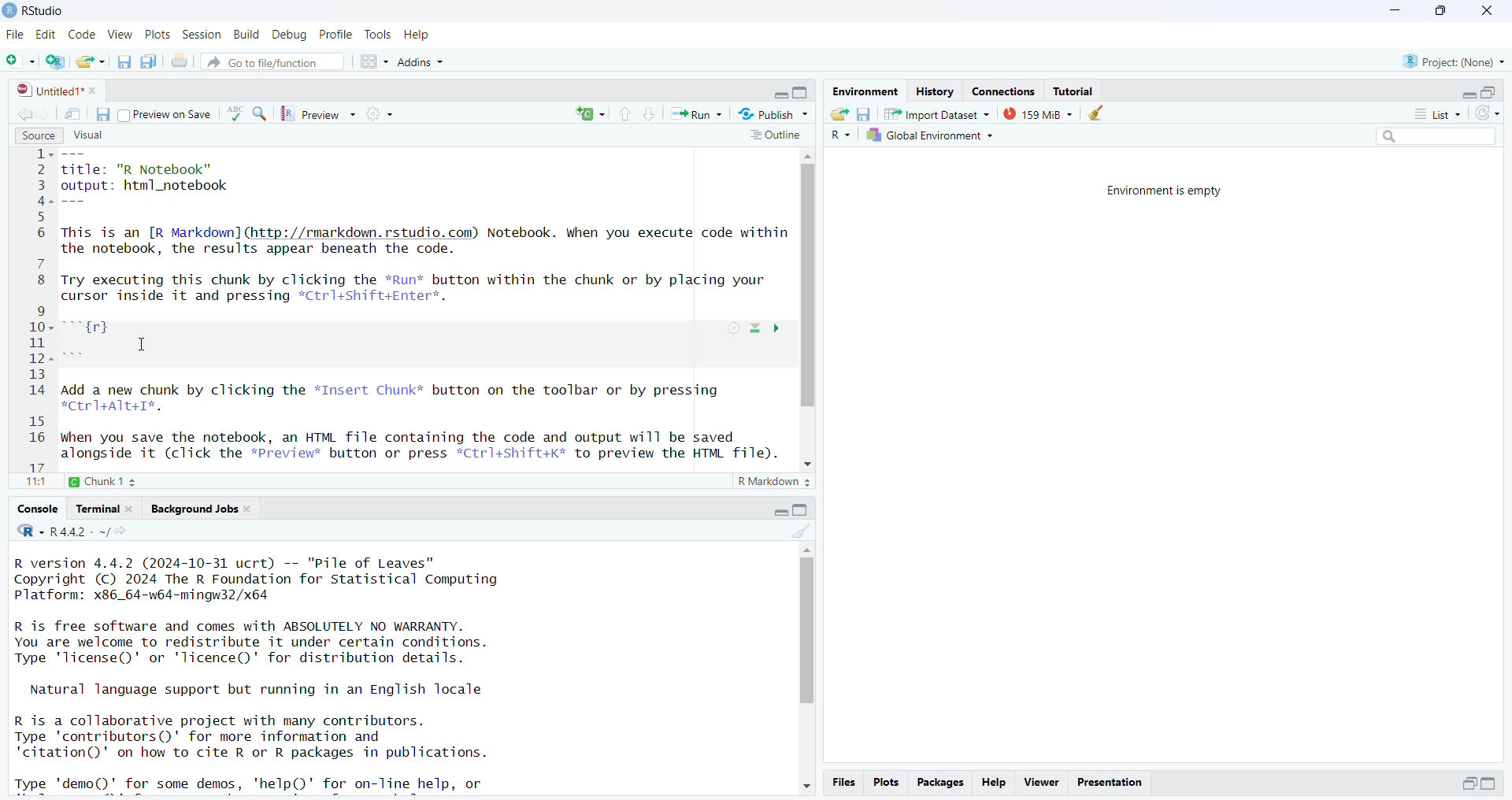 The width and height of the screenshot is (1512, 800). What do you see at coordinates (57, 61) in the screenshot?
I see `create a project` at bounding box center [57, 61].